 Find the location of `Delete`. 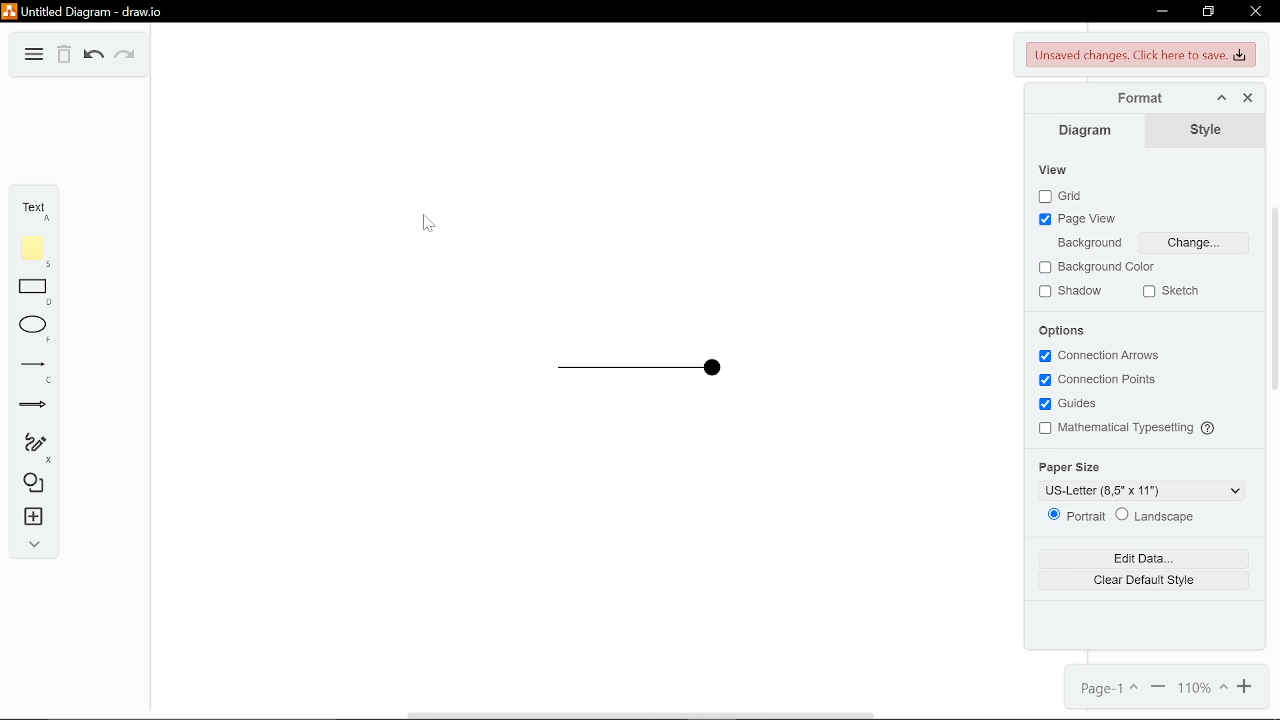

Delete is located at coordinates (63, 56).